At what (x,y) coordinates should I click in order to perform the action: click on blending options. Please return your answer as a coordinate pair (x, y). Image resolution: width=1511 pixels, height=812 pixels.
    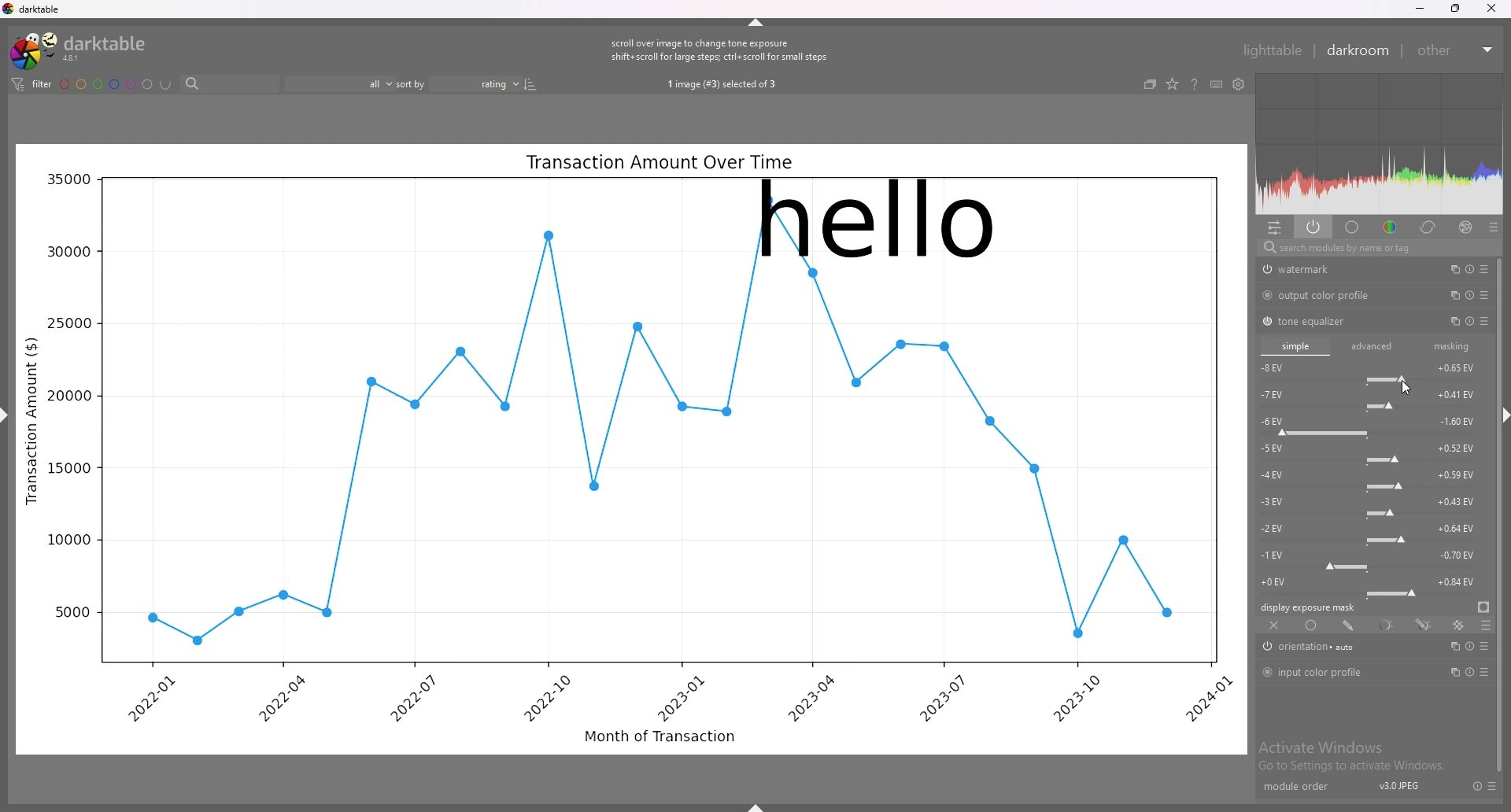
    Looking at the image, I should click on (1484, 625).